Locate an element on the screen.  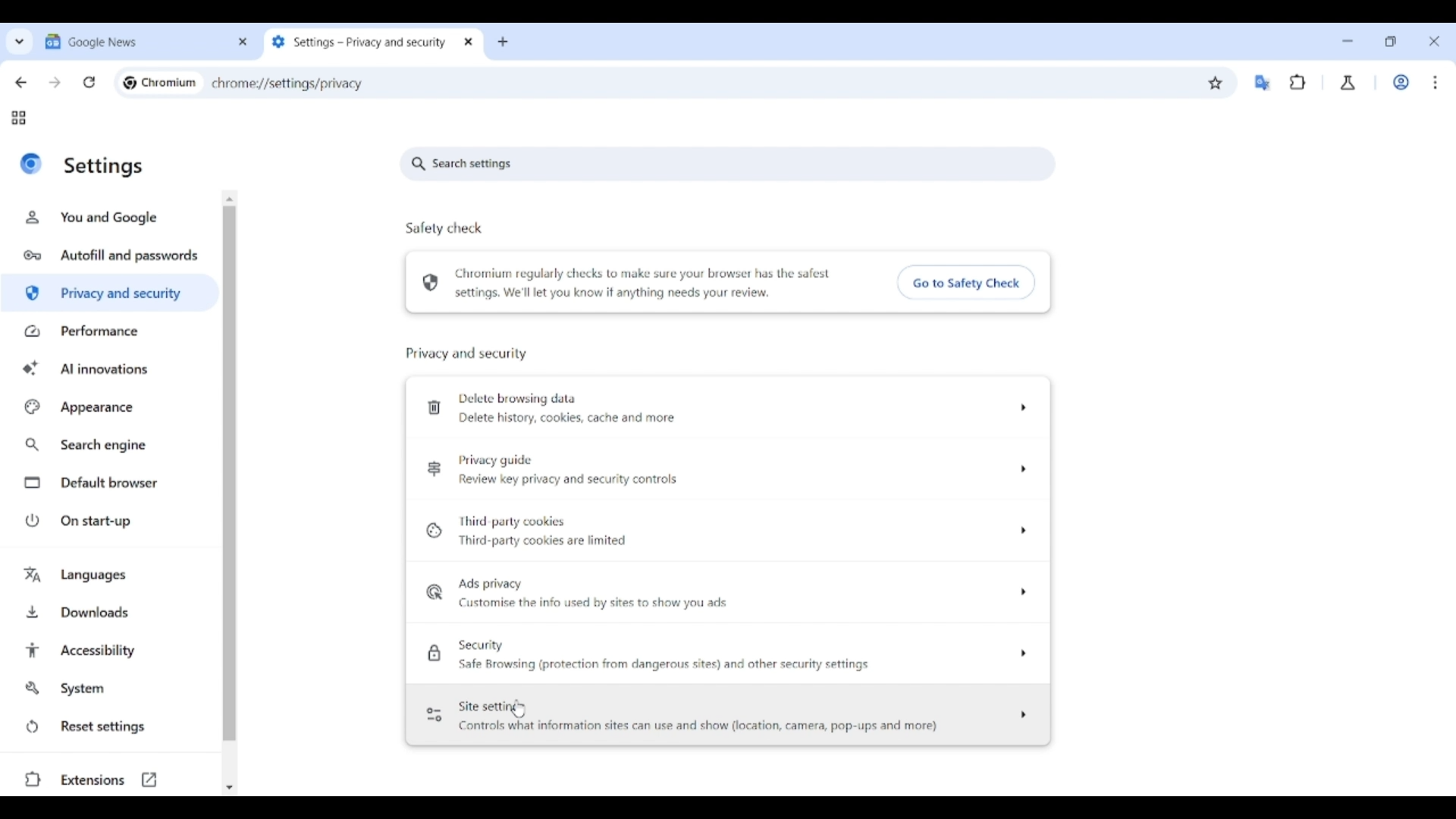
Ad privacy options is located at coordinates (728, 594).